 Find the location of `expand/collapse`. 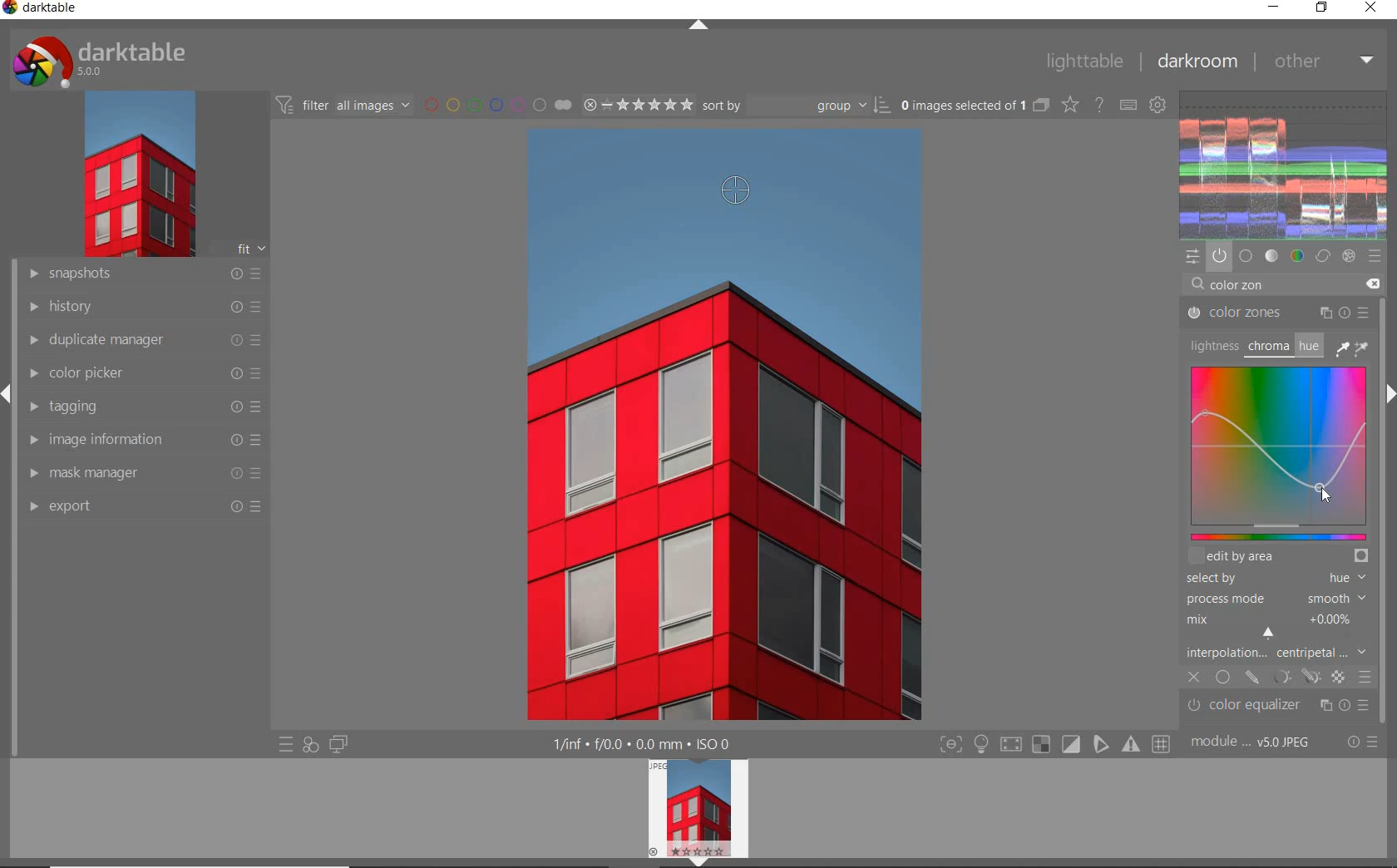

expand/collapse is located at coordinates (699, 26).